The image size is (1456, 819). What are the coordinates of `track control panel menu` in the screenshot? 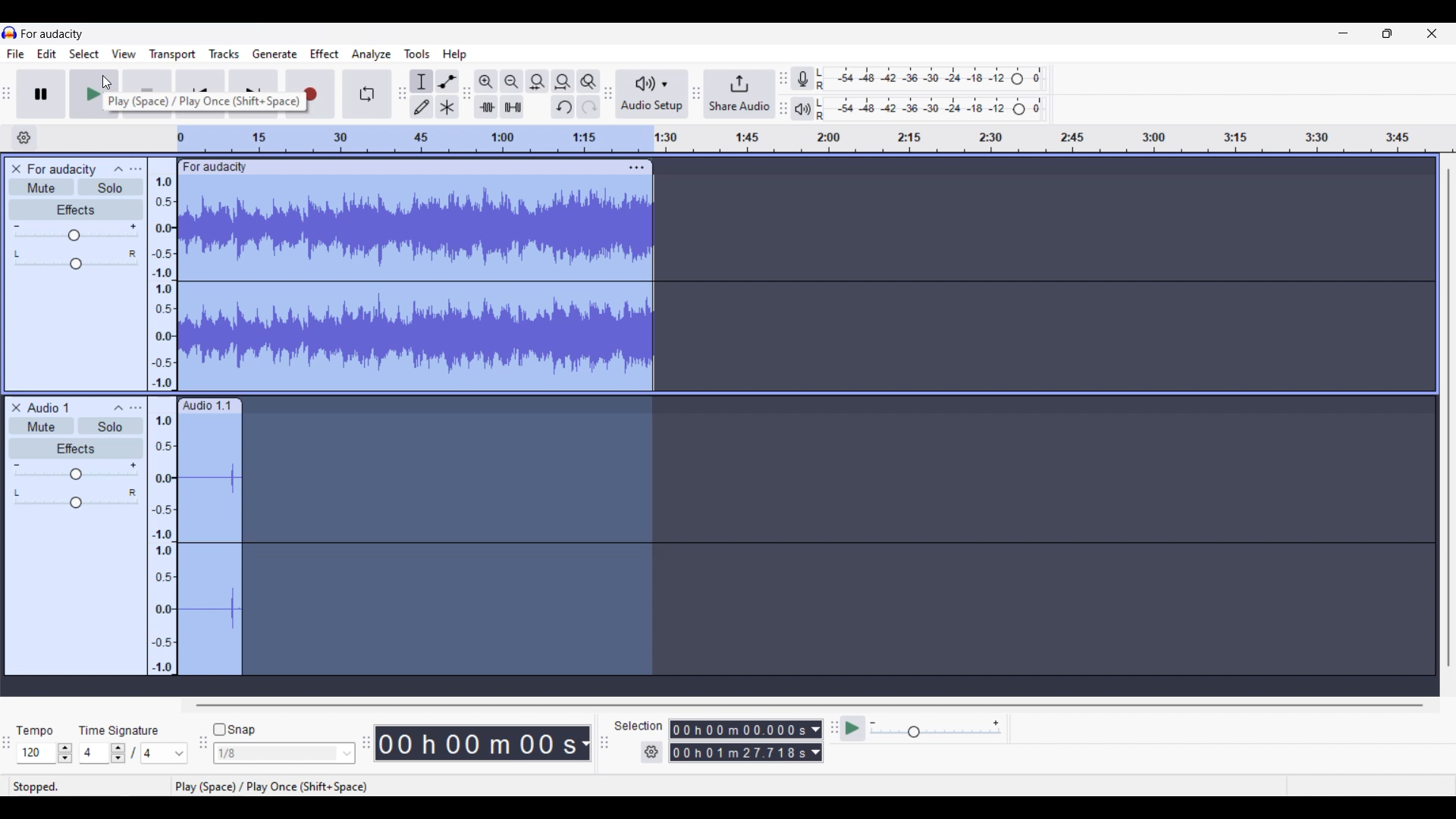 It's located at (136, 408).